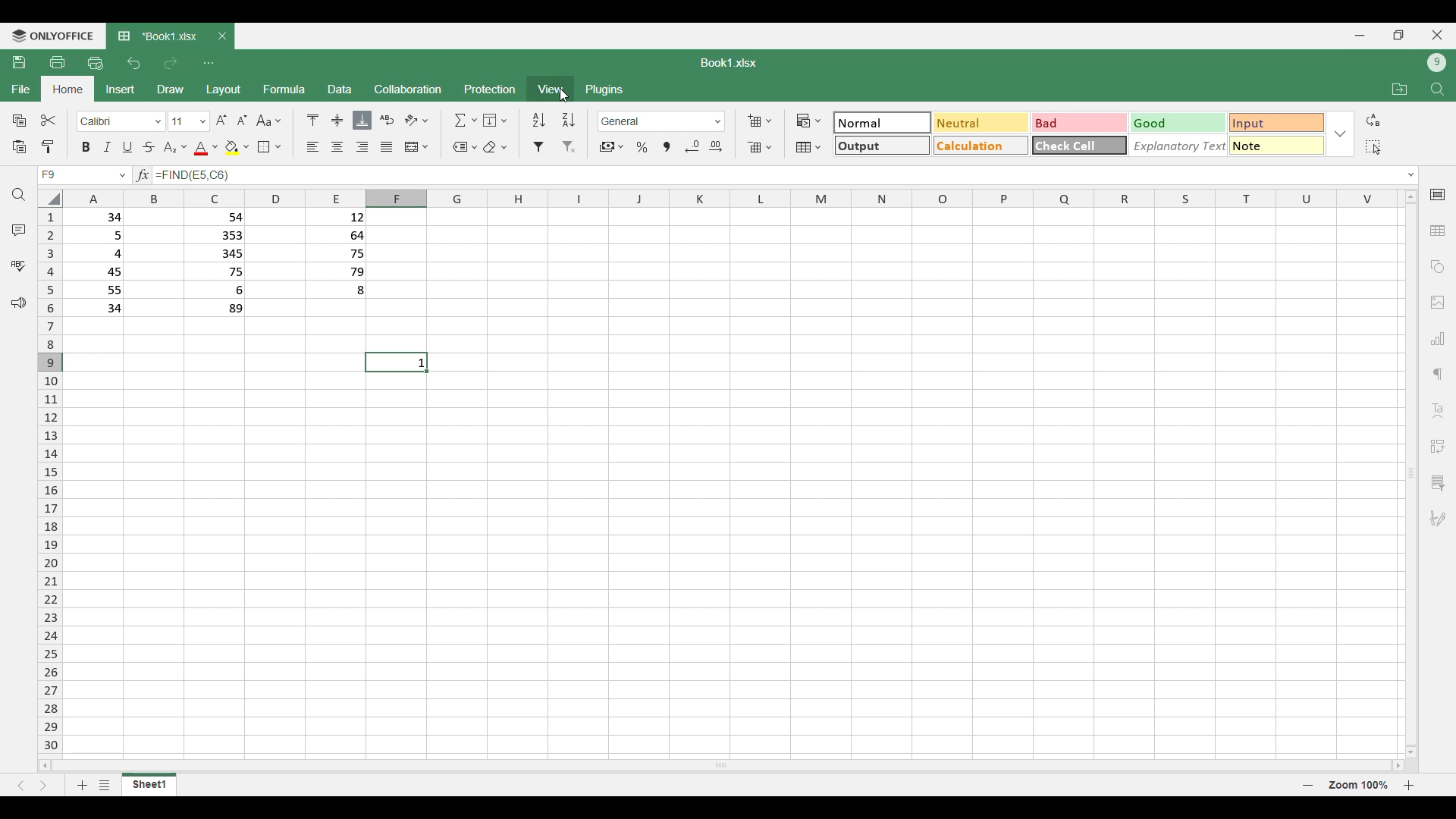 The image size is (1456, 819). What do you see at coordinates (340, 89) in the screenshot?
I see `Data menu` at bounding box center [340, 89].